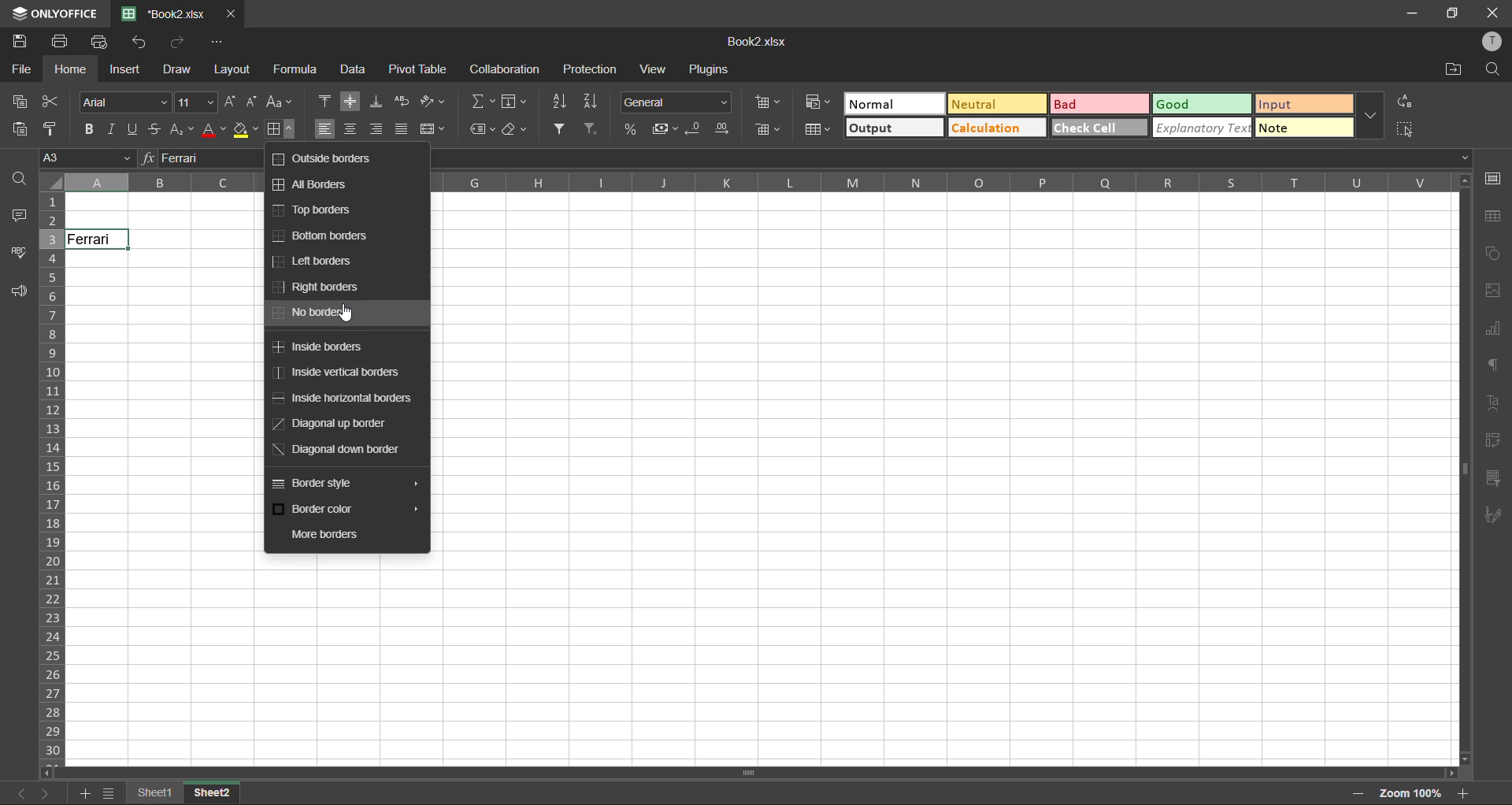 The image size is (1512, 805). I want to click on more options, so click(1371, 114).